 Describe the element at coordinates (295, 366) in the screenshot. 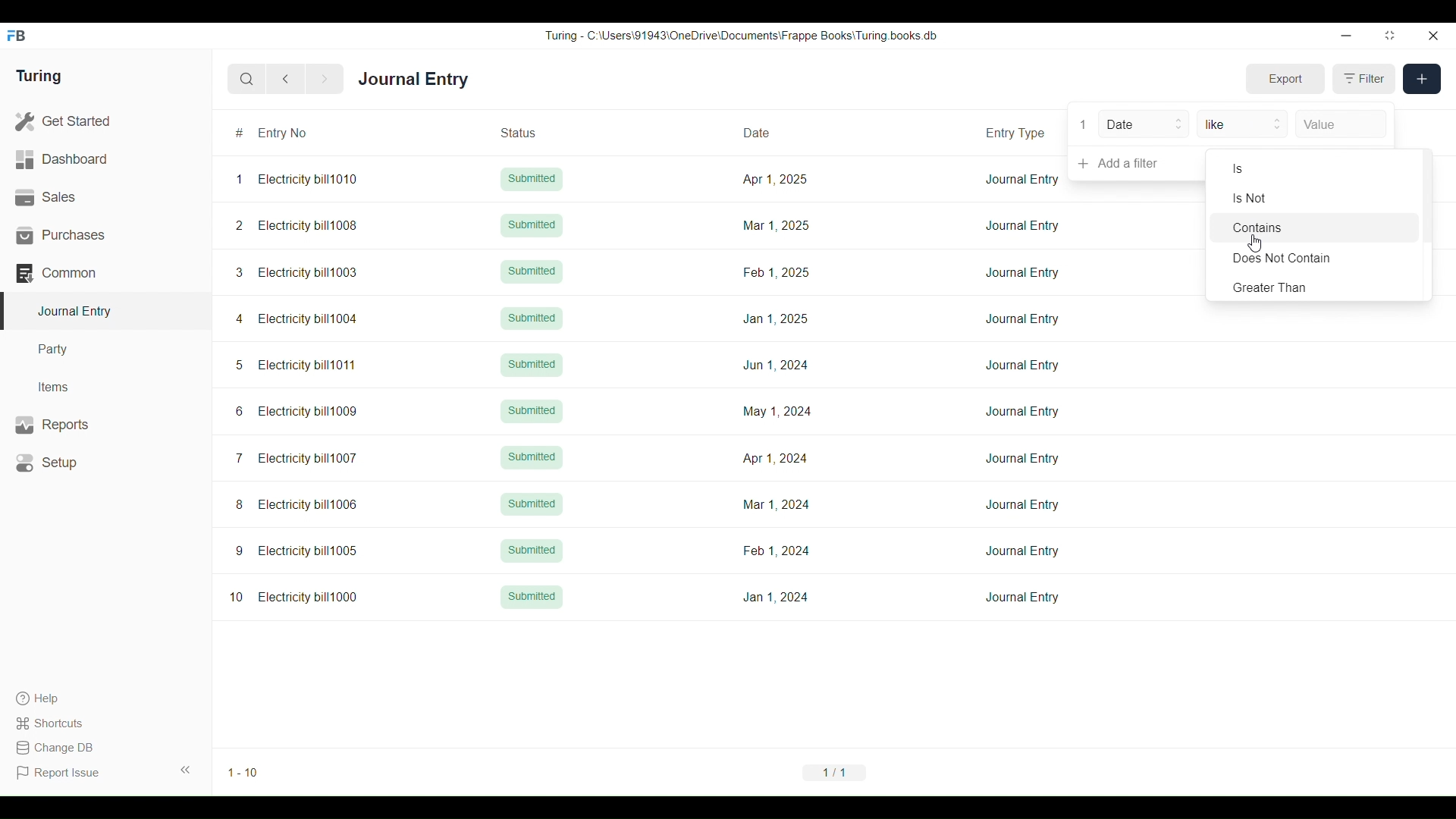

I see `5 Electricity bill1011` at that location.